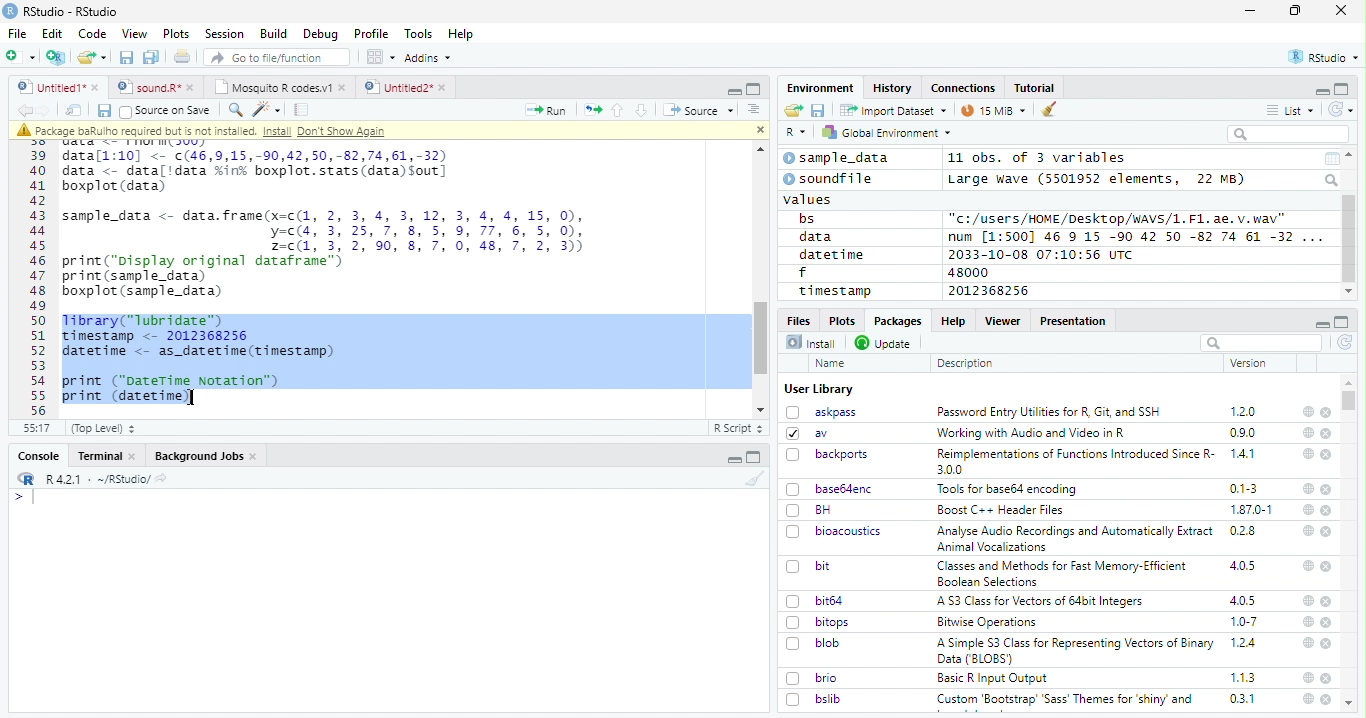 Image resolution: width=1366 pixels, height=718 pixels. What do you see at coordinates (733, 89) in the screenshot?
I see `minimize` at bounding box center [733, 89].